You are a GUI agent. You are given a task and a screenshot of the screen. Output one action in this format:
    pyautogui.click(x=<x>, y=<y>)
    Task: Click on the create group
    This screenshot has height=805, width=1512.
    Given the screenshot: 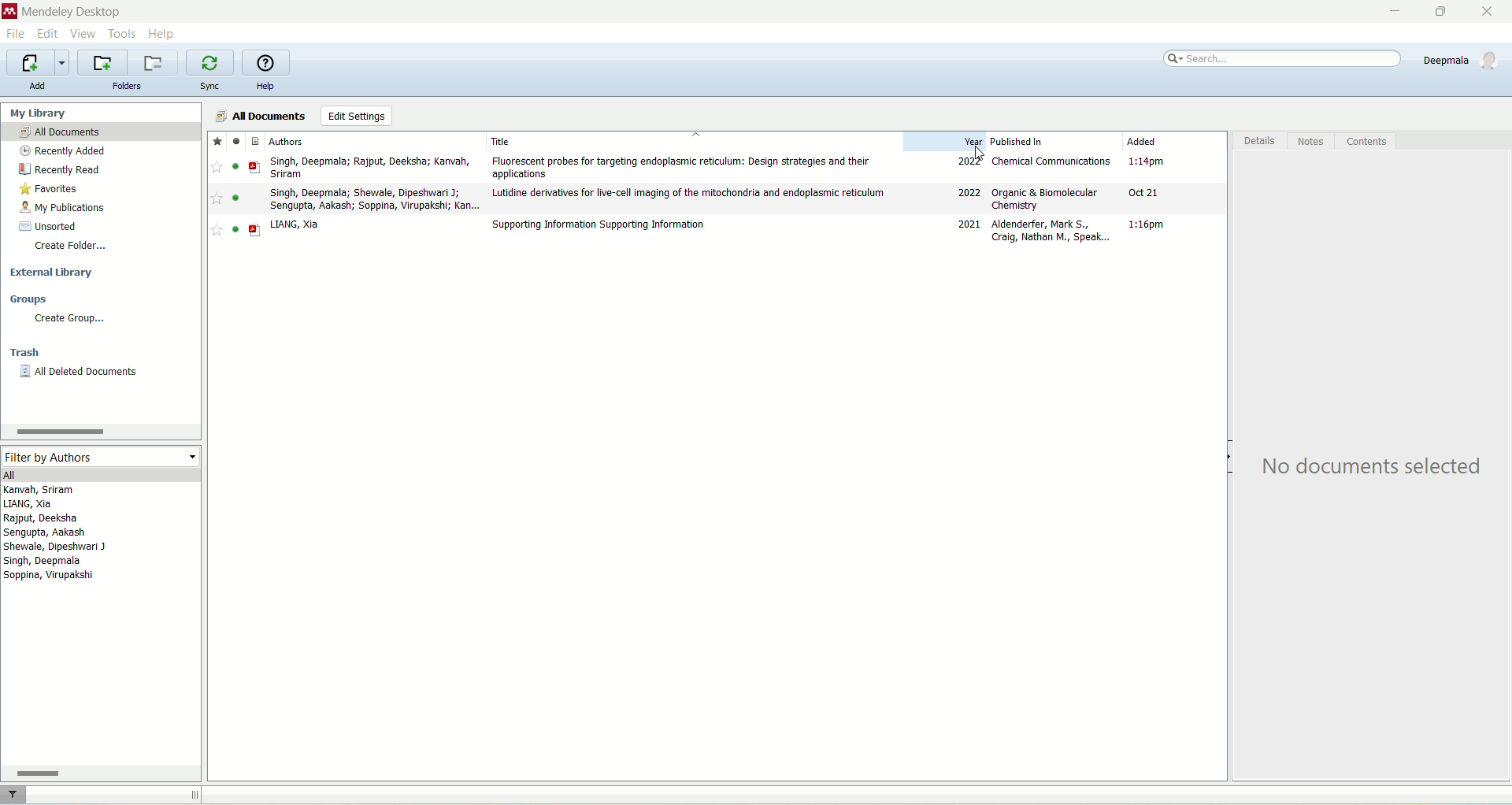 What is the action you would take?
    pyautogui.click(x=68, y=318)
    